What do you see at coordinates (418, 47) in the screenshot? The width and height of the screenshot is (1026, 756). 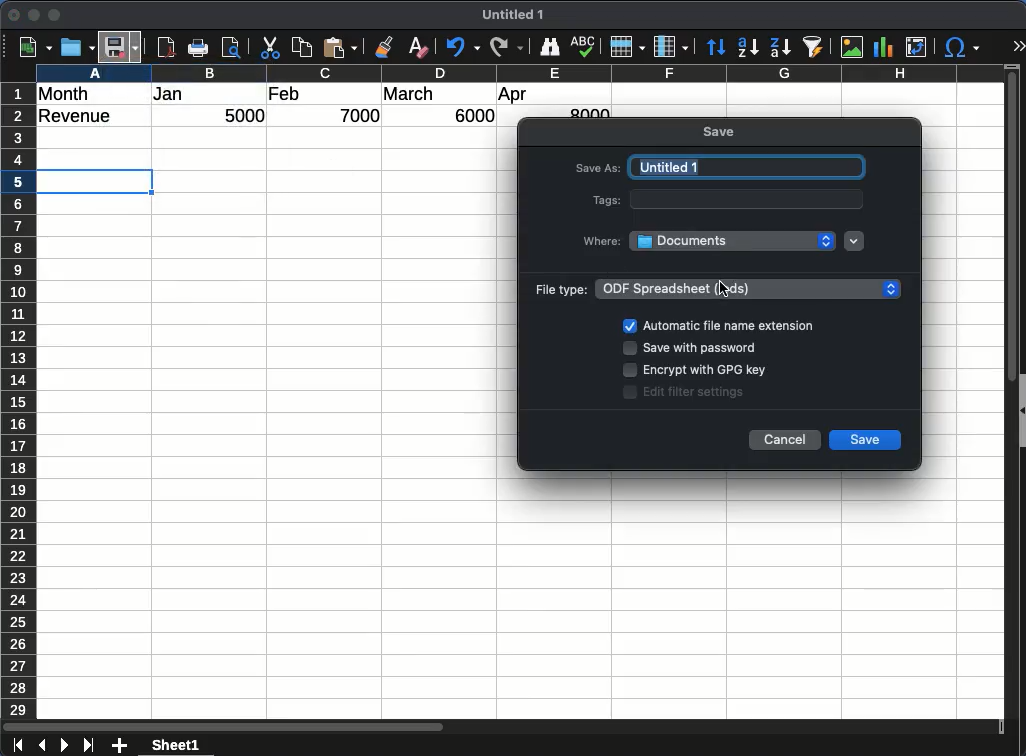 I see `clear formatting` at bounding box center [418, 47].